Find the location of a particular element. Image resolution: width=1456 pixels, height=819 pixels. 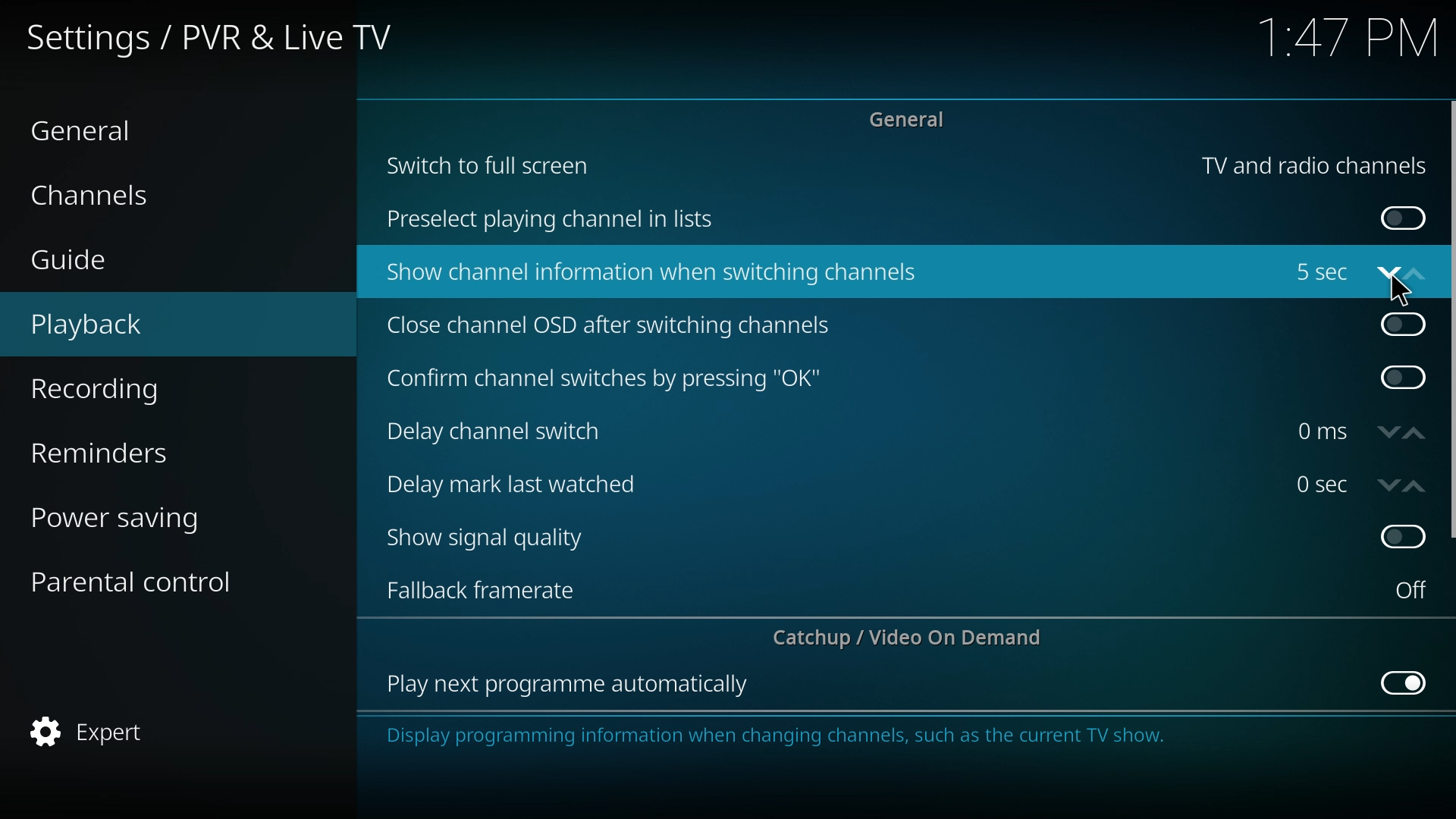

show channel info when switching channels is located at coordinates (655, 273).